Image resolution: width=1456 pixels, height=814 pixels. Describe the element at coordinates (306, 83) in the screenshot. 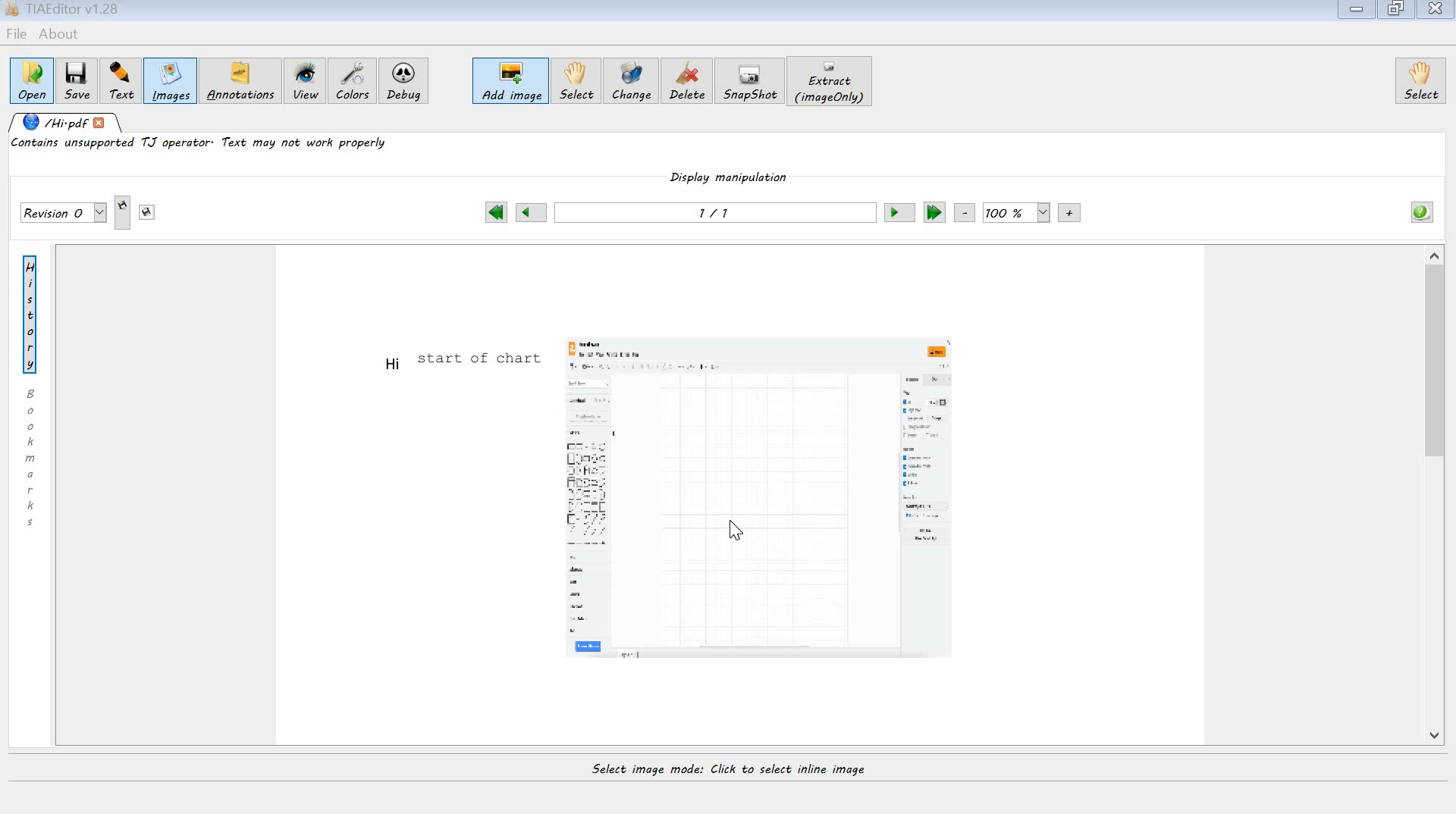

I see `view` at that location.